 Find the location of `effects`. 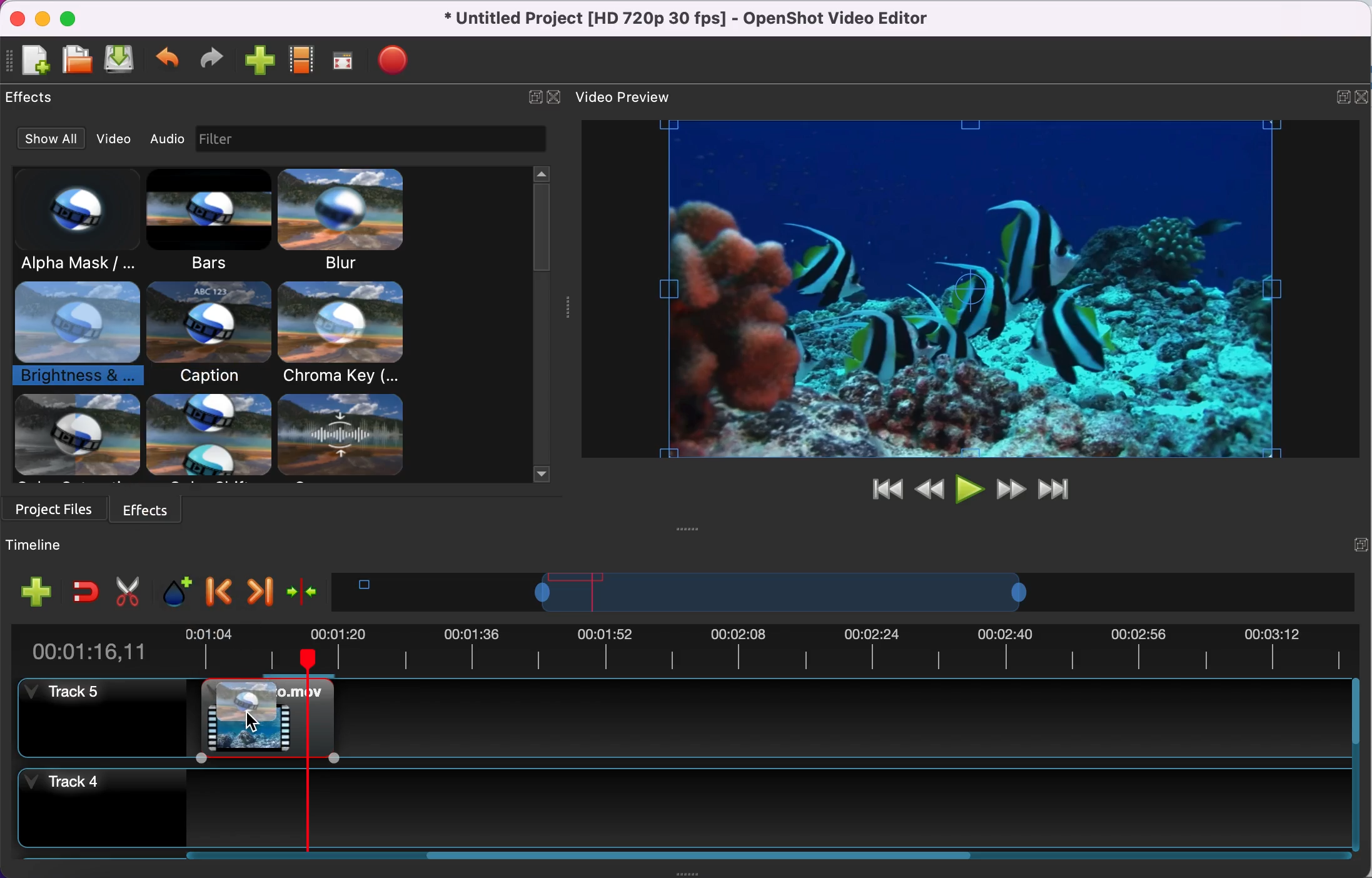

effects is located at coordinates (149, 507).